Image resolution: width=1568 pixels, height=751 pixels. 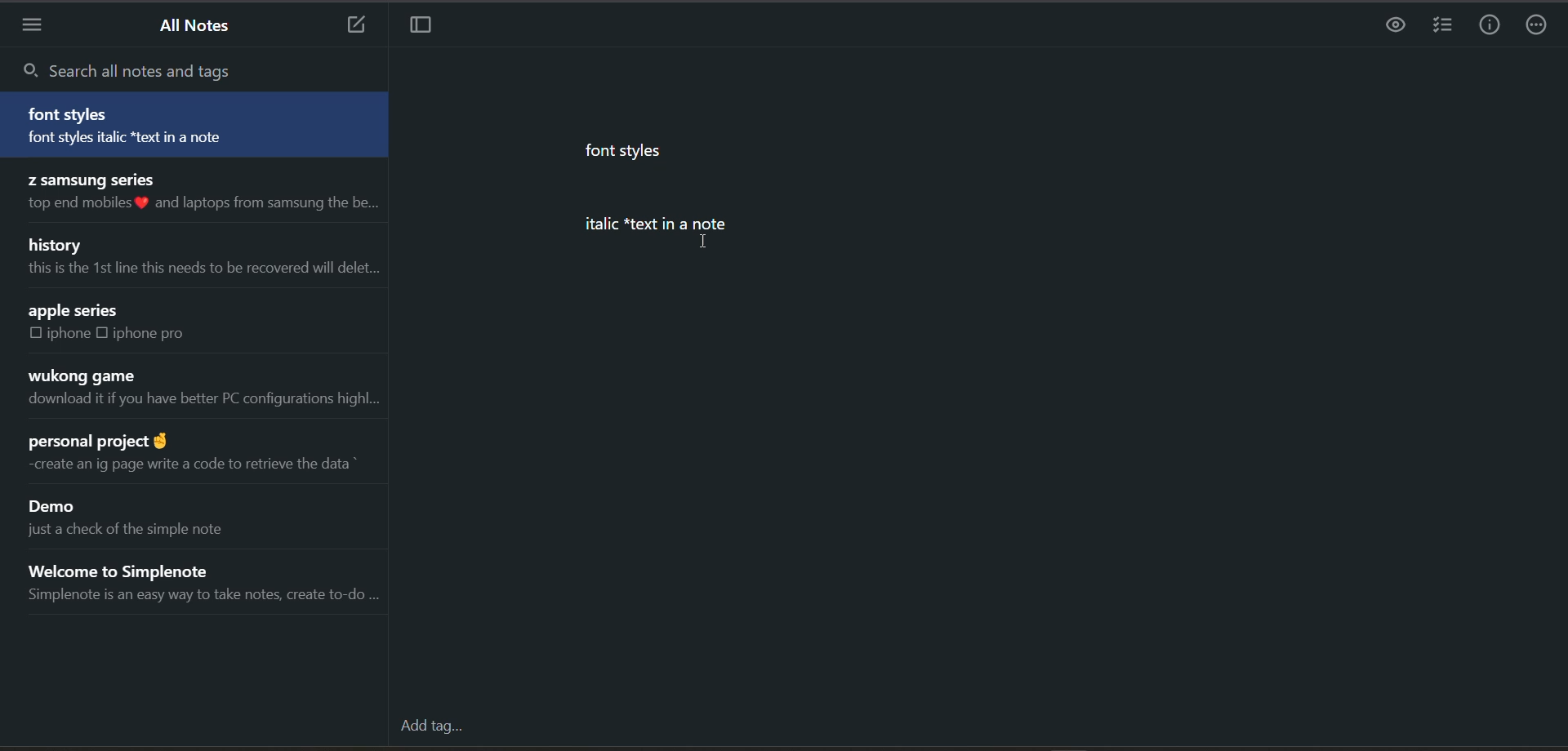 What do you see at coordinates (197, 457) in the screenshot?
I see `note title and preview` at bounding box center [197, 457].